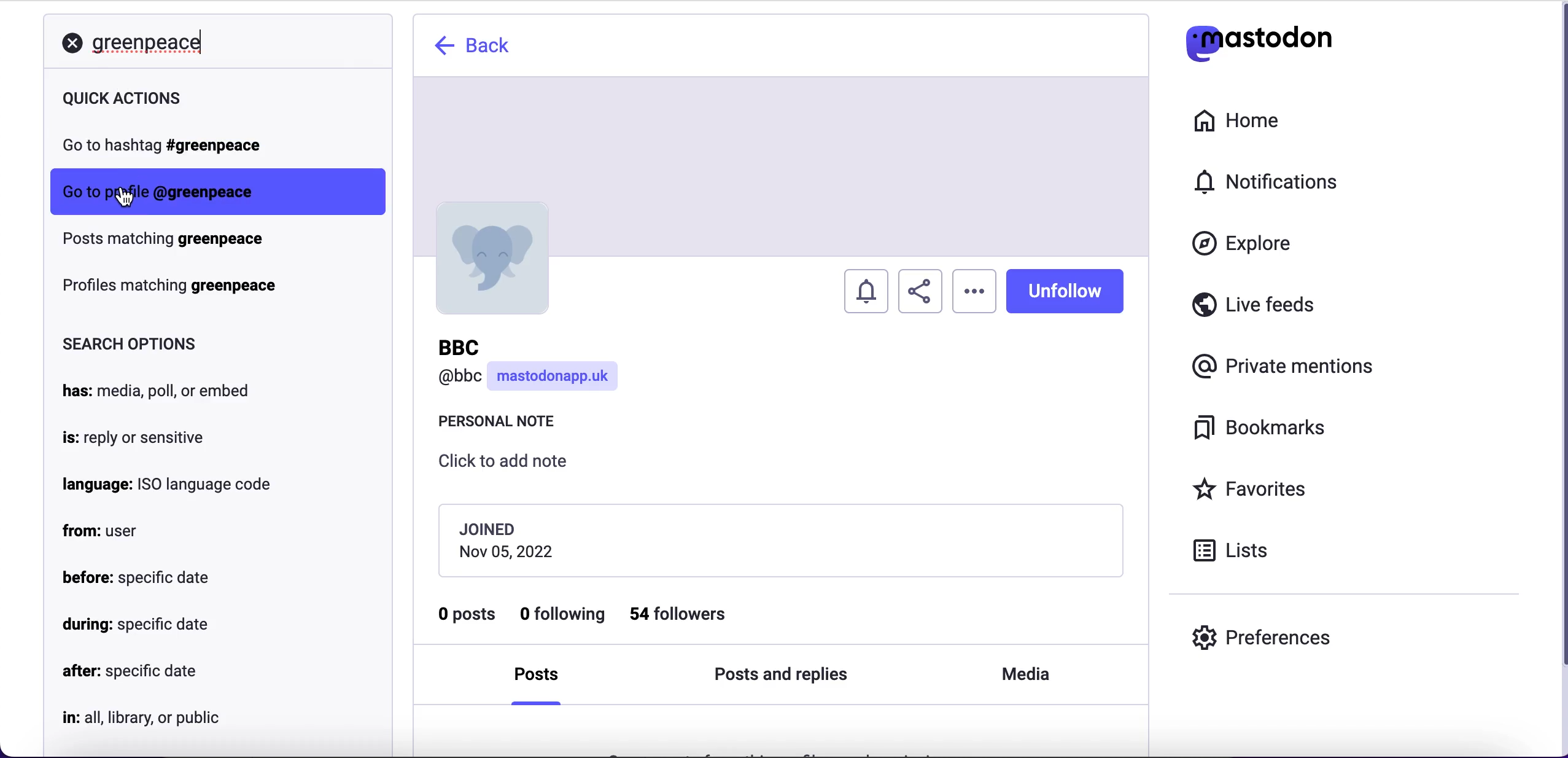  What do you see at coordinates (564, 616) in the screenshot?
I see `0 following` at bounding box center [564, 616].